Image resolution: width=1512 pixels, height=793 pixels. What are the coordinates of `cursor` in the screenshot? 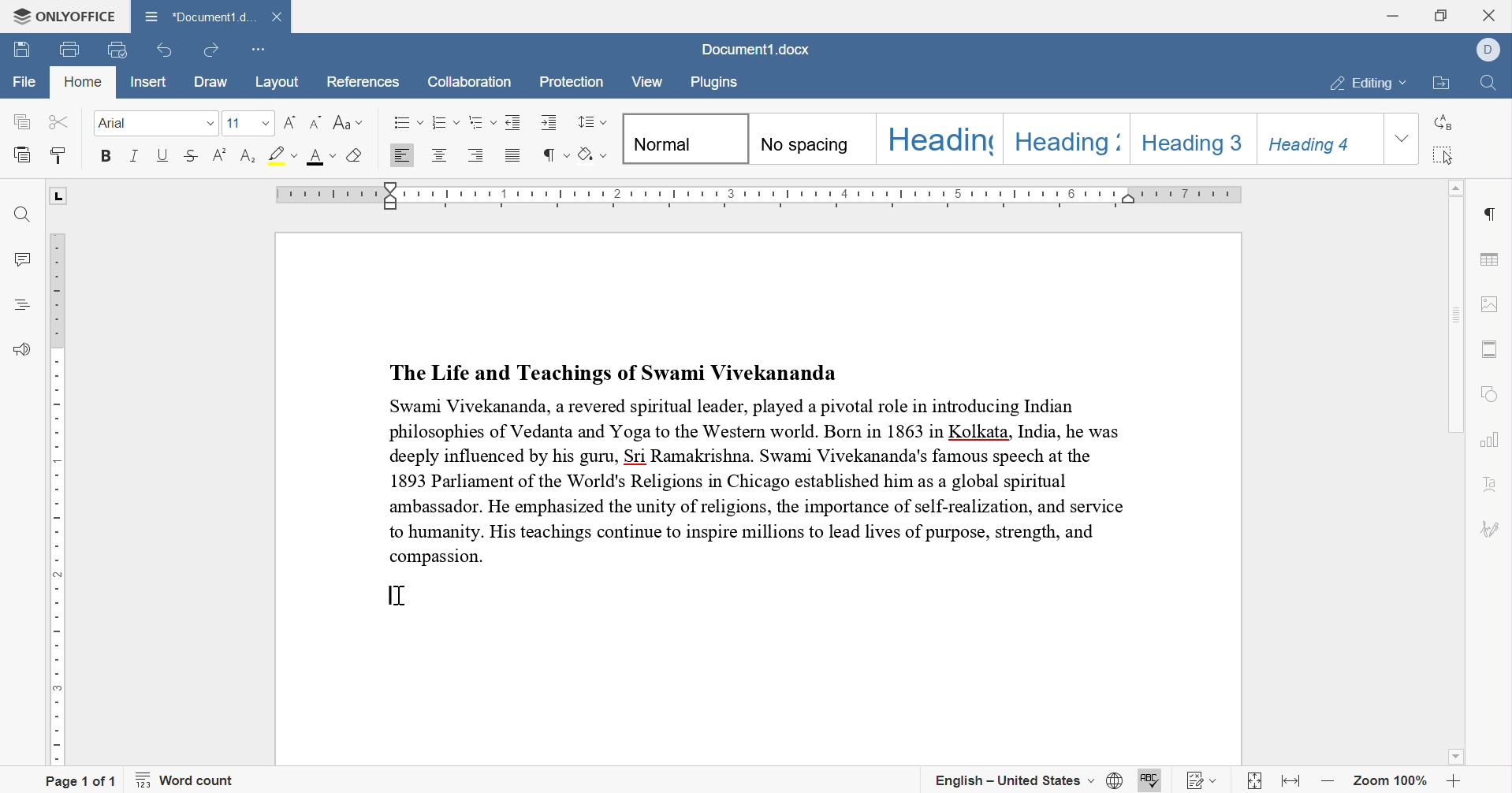 It's located at (398, 596).